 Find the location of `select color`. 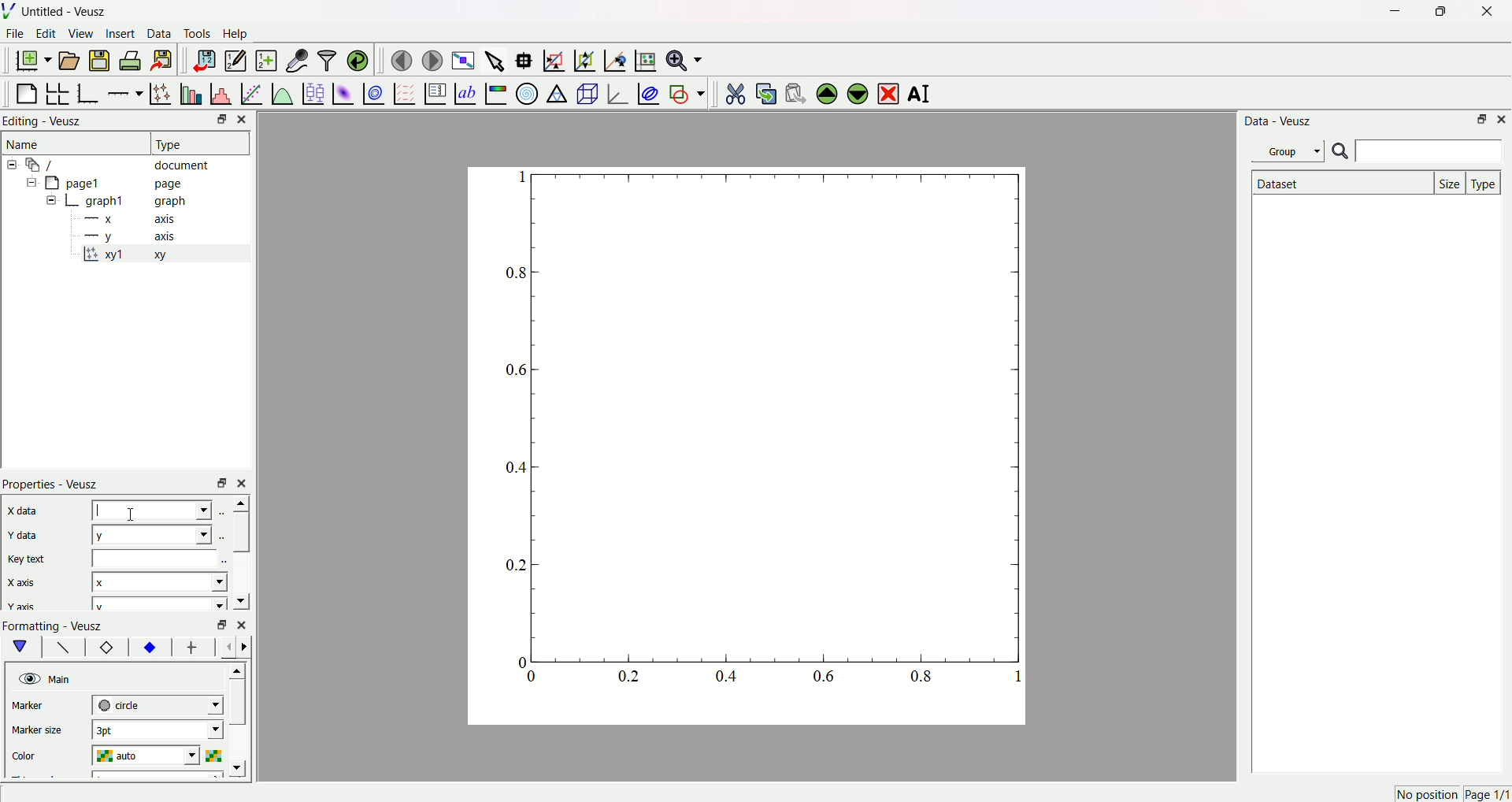

select color is located at coordinates (217, 754).